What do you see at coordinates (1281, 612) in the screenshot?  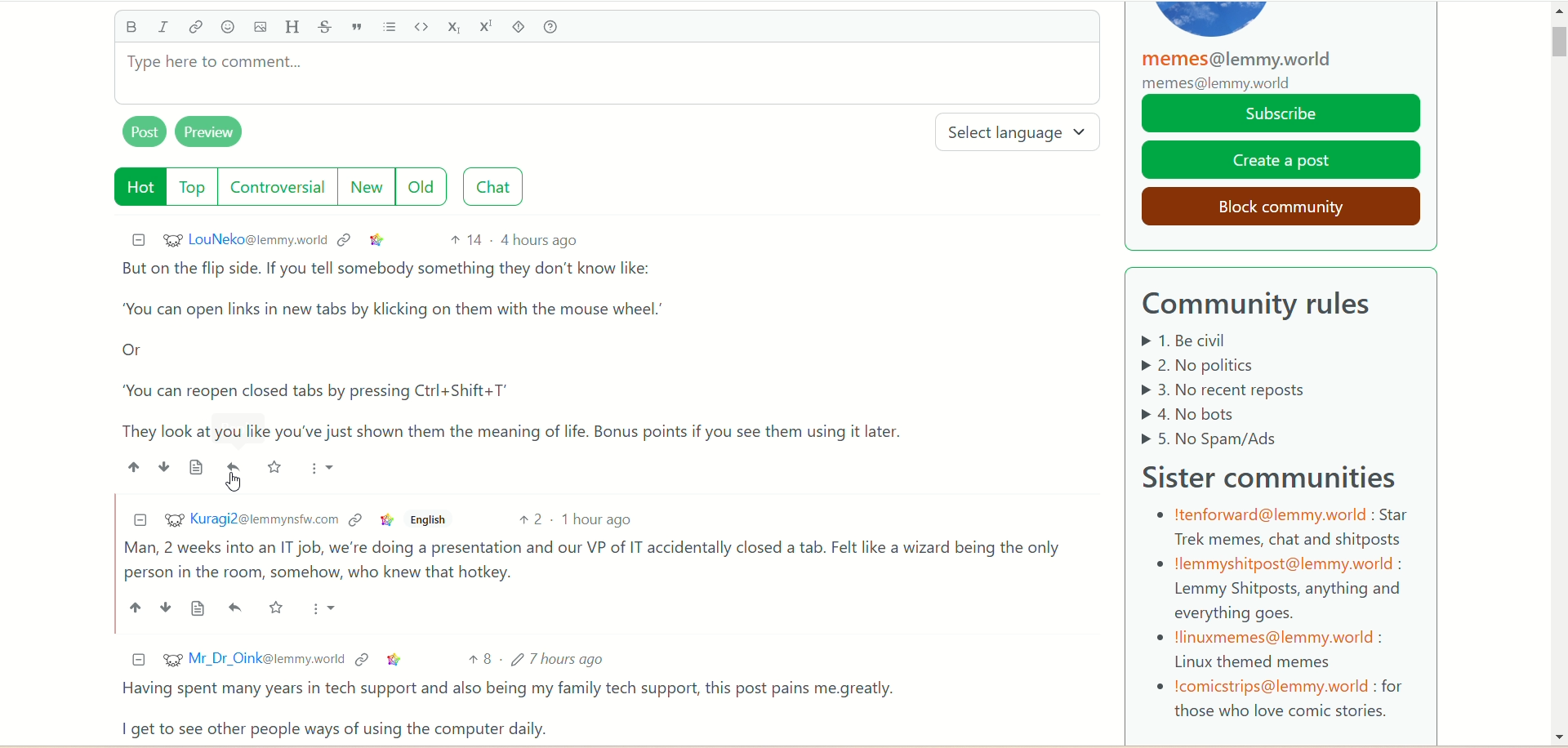 I see `sister communities details` at bounding box center [1281, 612].